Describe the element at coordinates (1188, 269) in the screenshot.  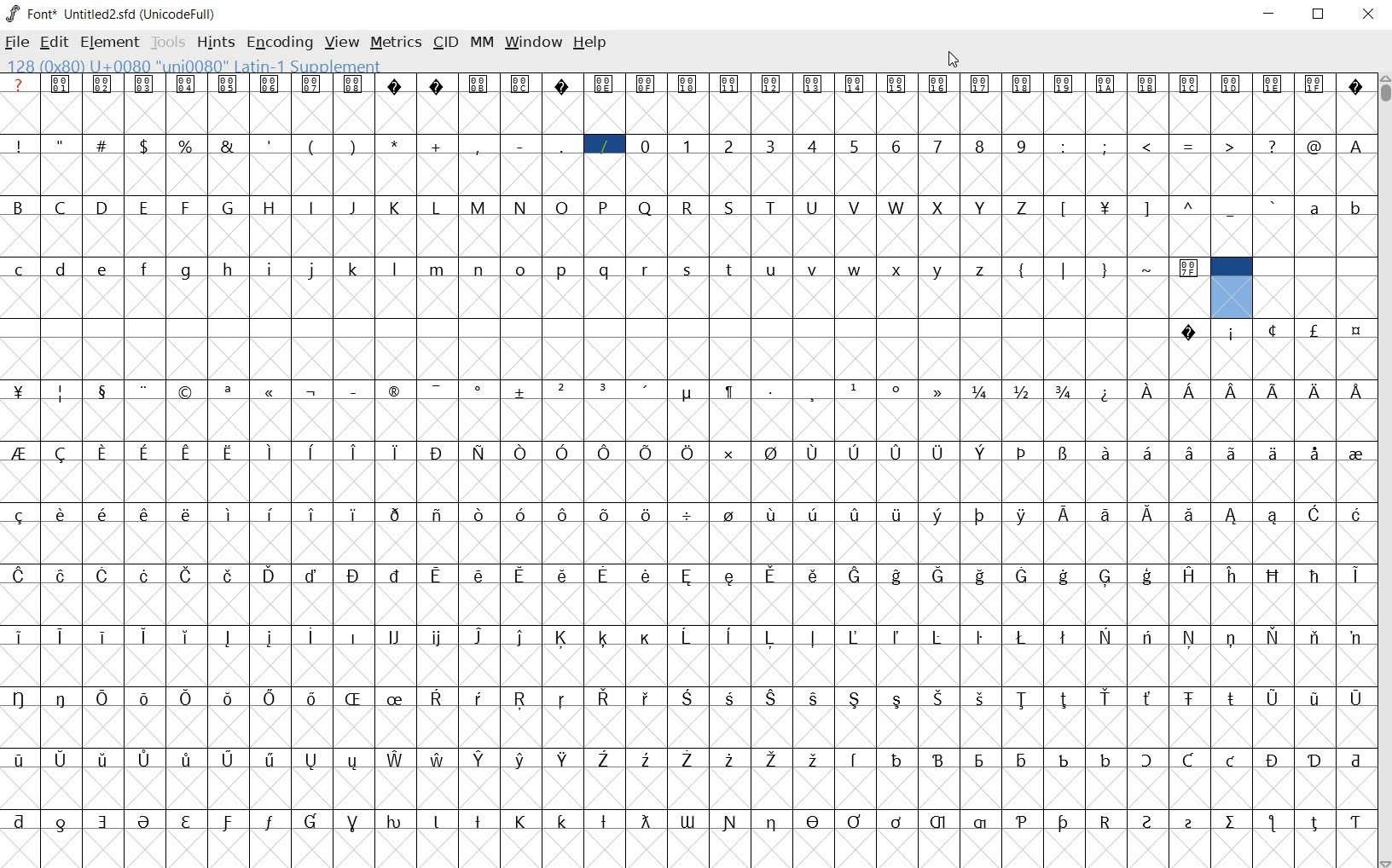
I see `Symbol` at that location.